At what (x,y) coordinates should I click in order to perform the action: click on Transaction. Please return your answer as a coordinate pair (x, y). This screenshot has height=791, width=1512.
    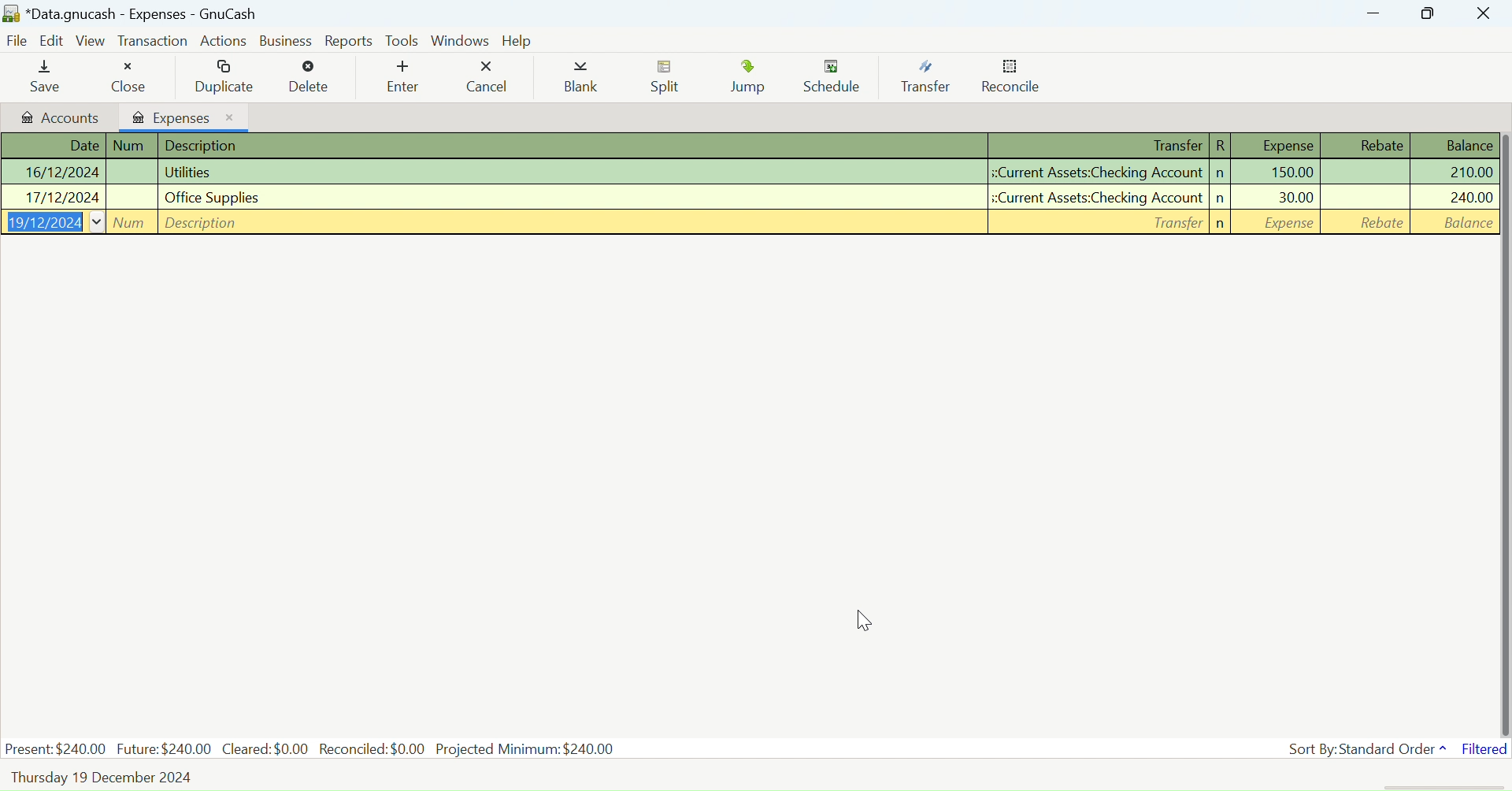
    Looking at the image, I should click on (152, 42).